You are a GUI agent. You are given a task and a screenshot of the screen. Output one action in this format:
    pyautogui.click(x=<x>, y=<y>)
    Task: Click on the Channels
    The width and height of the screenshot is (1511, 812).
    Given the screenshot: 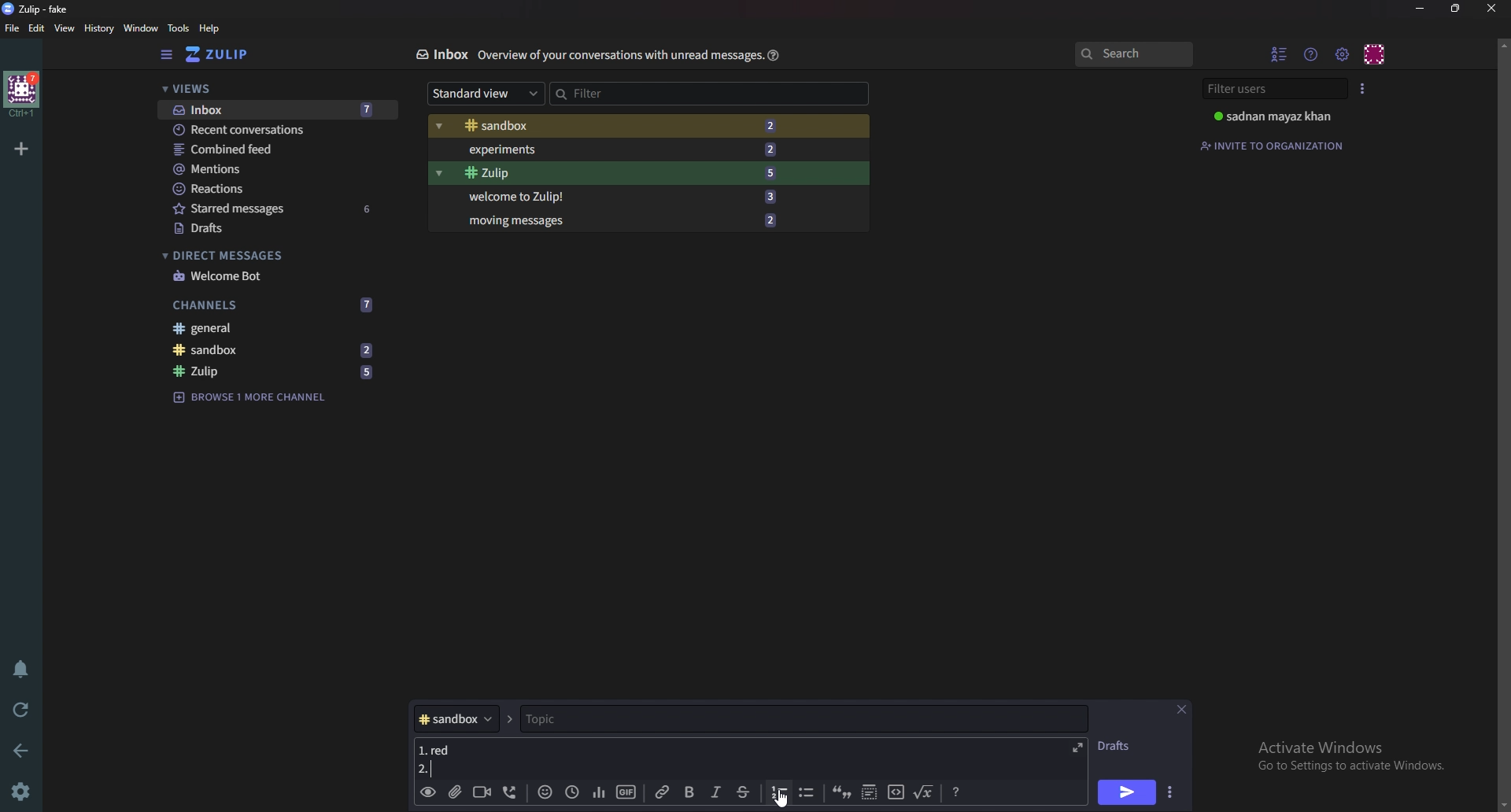 What is the action you would take?
    pyautogui.click(x=276, y=303)
    